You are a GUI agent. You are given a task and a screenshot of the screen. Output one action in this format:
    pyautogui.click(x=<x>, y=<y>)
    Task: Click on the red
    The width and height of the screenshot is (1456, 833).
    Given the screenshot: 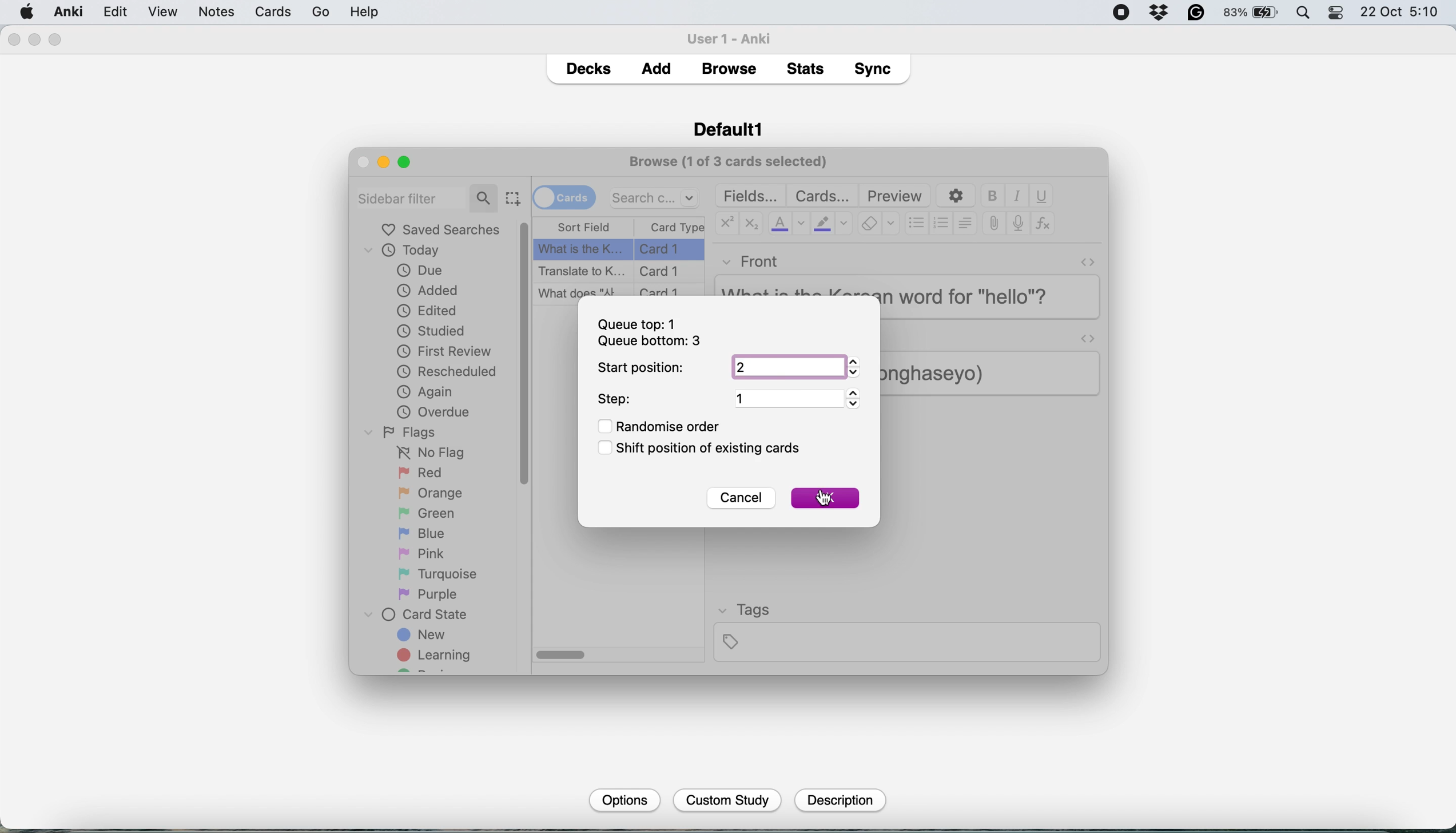 What is the action you would take?
    pyautogui.click(x=423, y=474)
    